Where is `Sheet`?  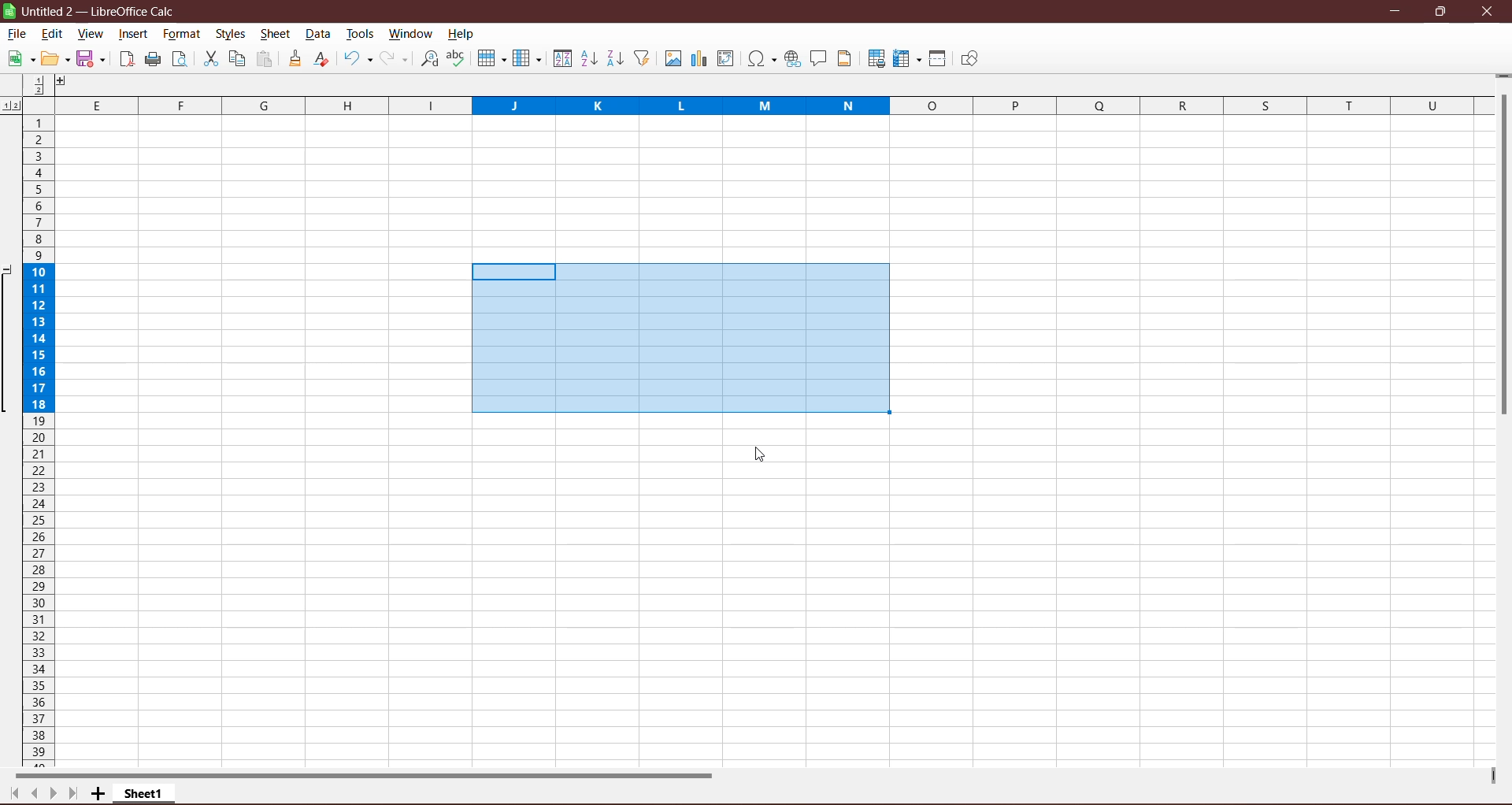 Sheet is located at coordinates (276, 35).